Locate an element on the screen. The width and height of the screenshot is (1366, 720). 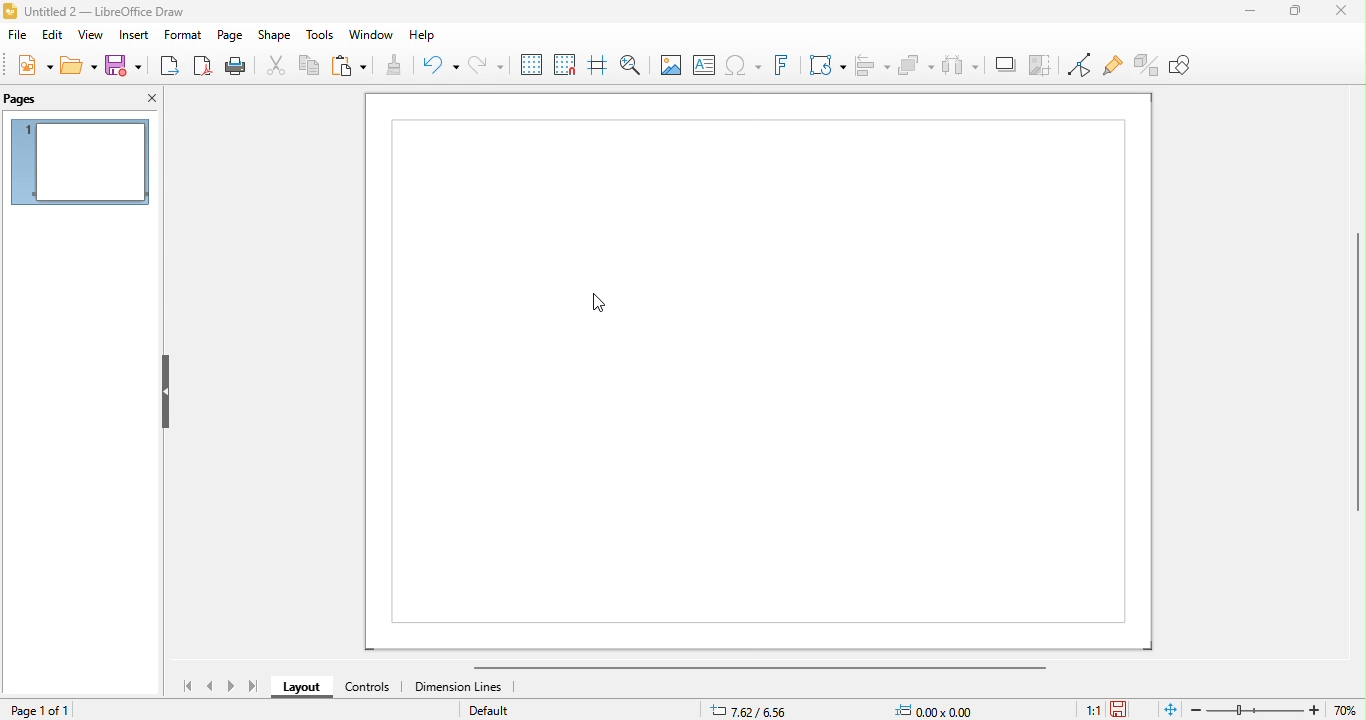
close is located at coordinates (1335, 14).